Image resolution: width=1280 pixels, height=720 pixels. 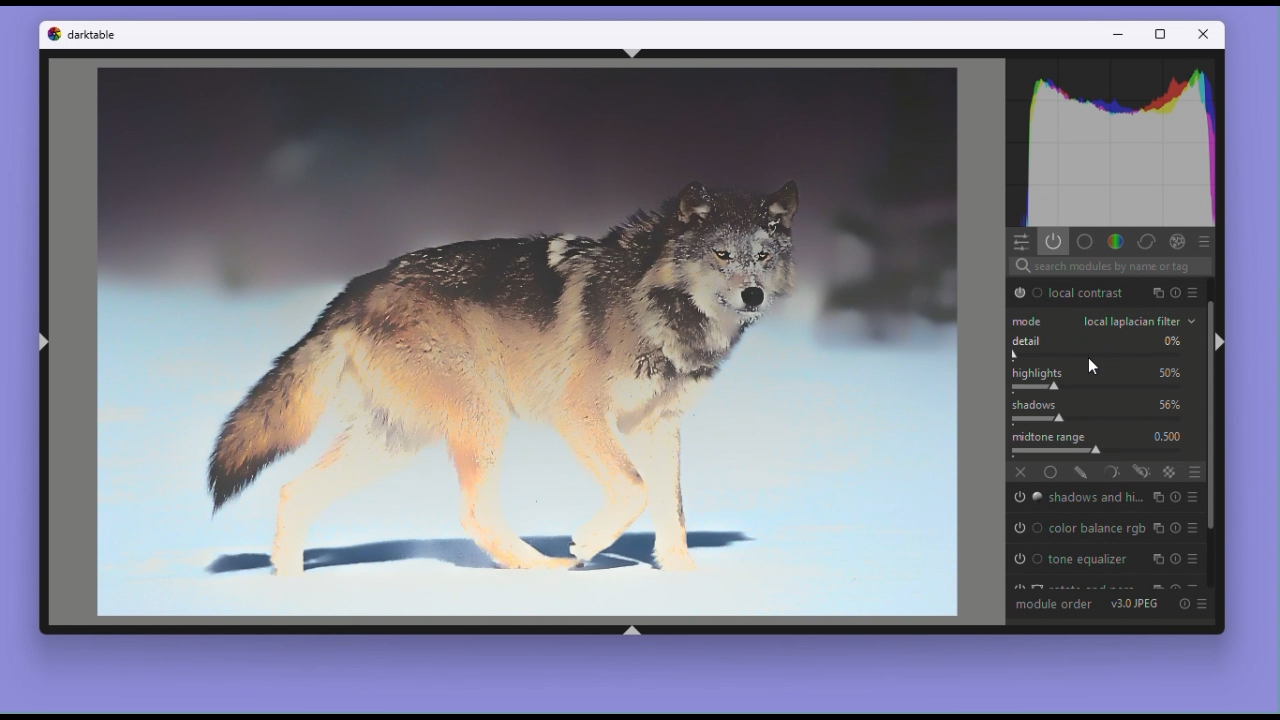 I want to click on Local contrast, so click(x=1089, y=292).